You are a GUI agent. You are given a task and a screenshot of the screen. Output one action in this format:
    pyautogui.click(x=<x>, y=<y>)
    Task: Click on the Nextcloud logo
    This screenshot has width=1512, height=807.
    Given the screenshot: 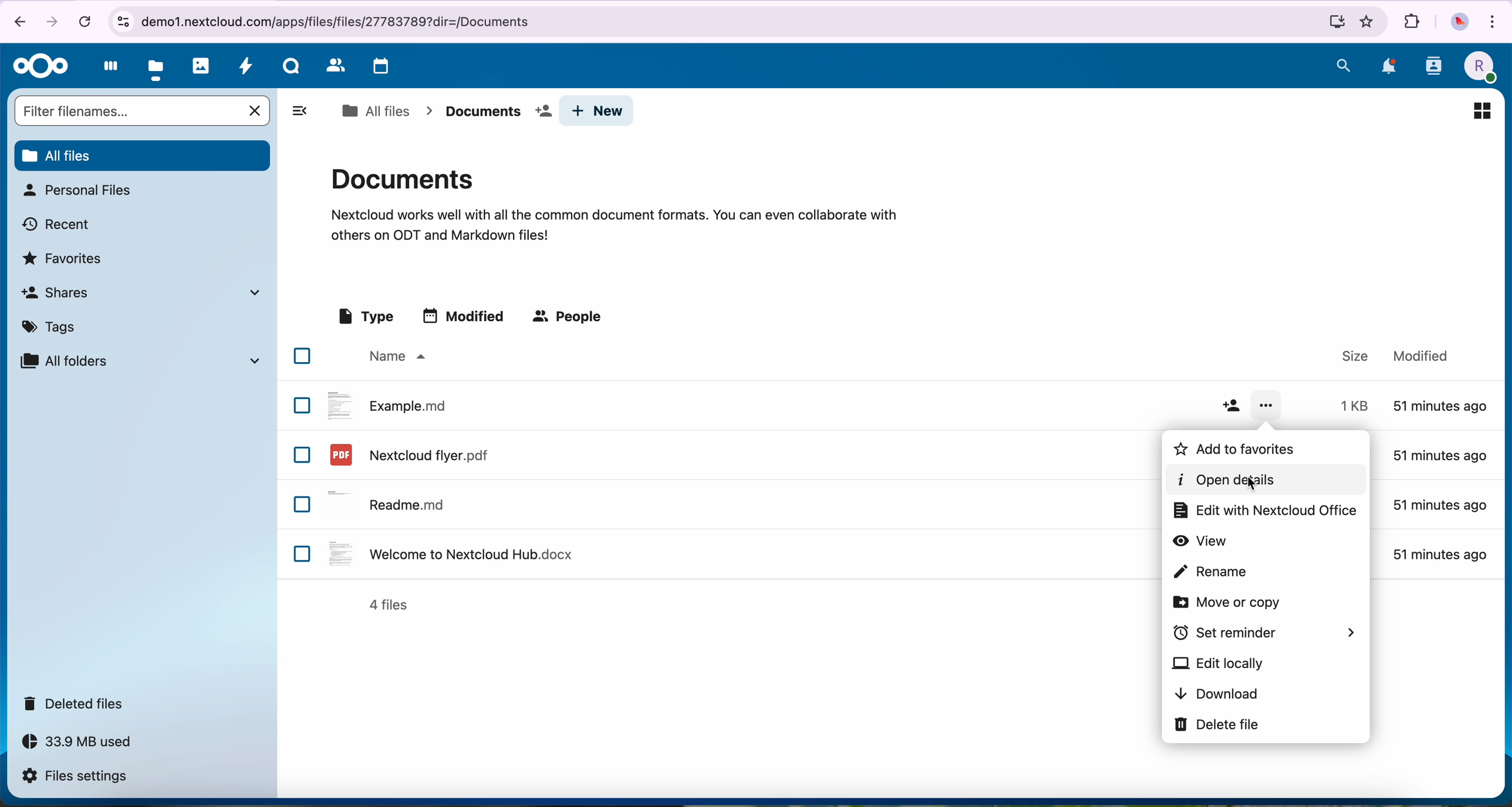 What is the action you would take?
    pyautogui.click(x=37, y=66)
    